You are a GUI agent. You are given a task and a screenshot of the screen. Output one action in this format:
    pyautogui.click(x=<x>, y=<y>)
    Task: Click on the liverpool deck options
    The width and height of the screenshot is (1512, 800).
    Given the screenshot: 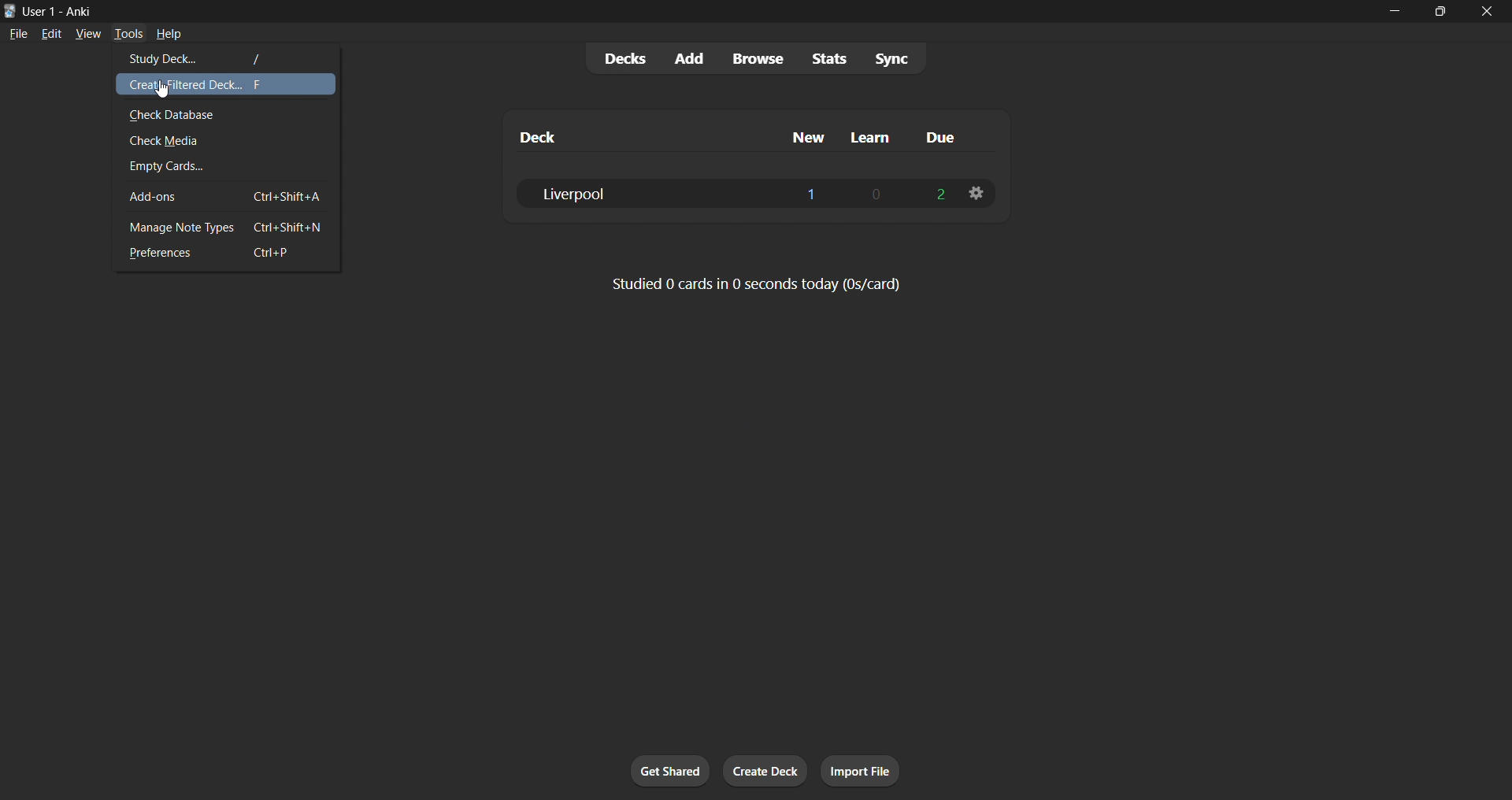 What is the action you would take?
    pyautogui.click(x=976, y=194)
    